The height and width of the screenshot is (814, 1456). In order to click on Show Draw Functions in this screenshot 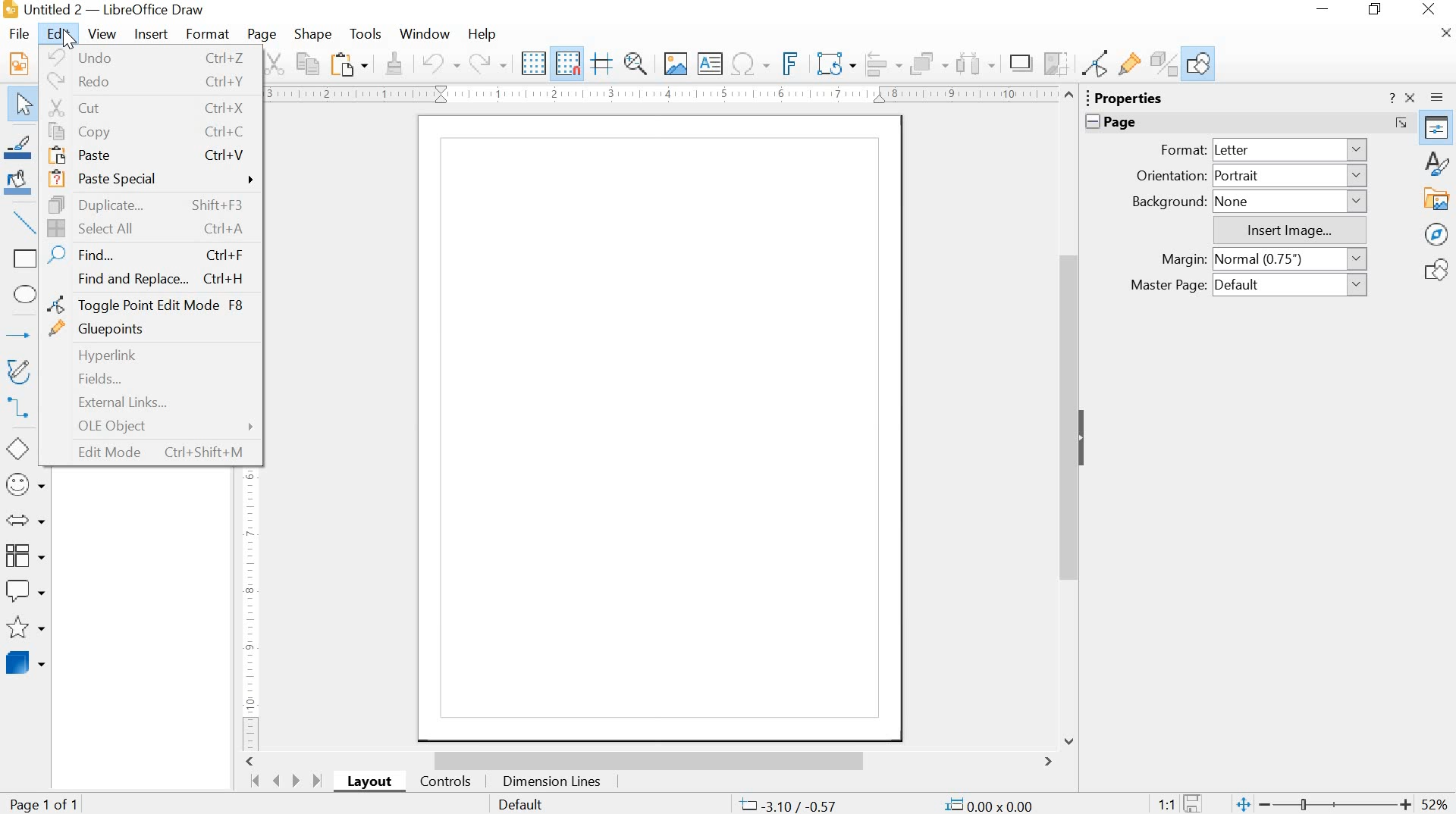, I will do `click(1200, 63)`.